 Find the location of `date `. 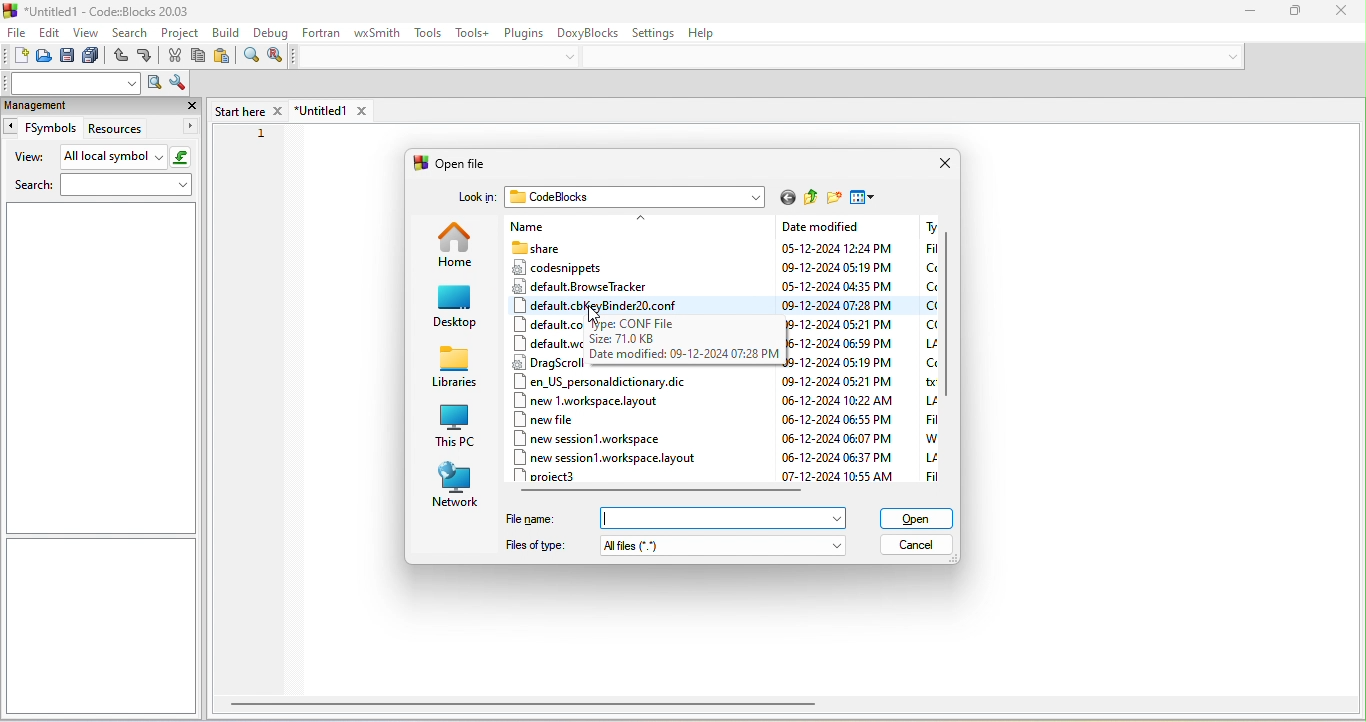

date  is located at coordinates (836, 248).